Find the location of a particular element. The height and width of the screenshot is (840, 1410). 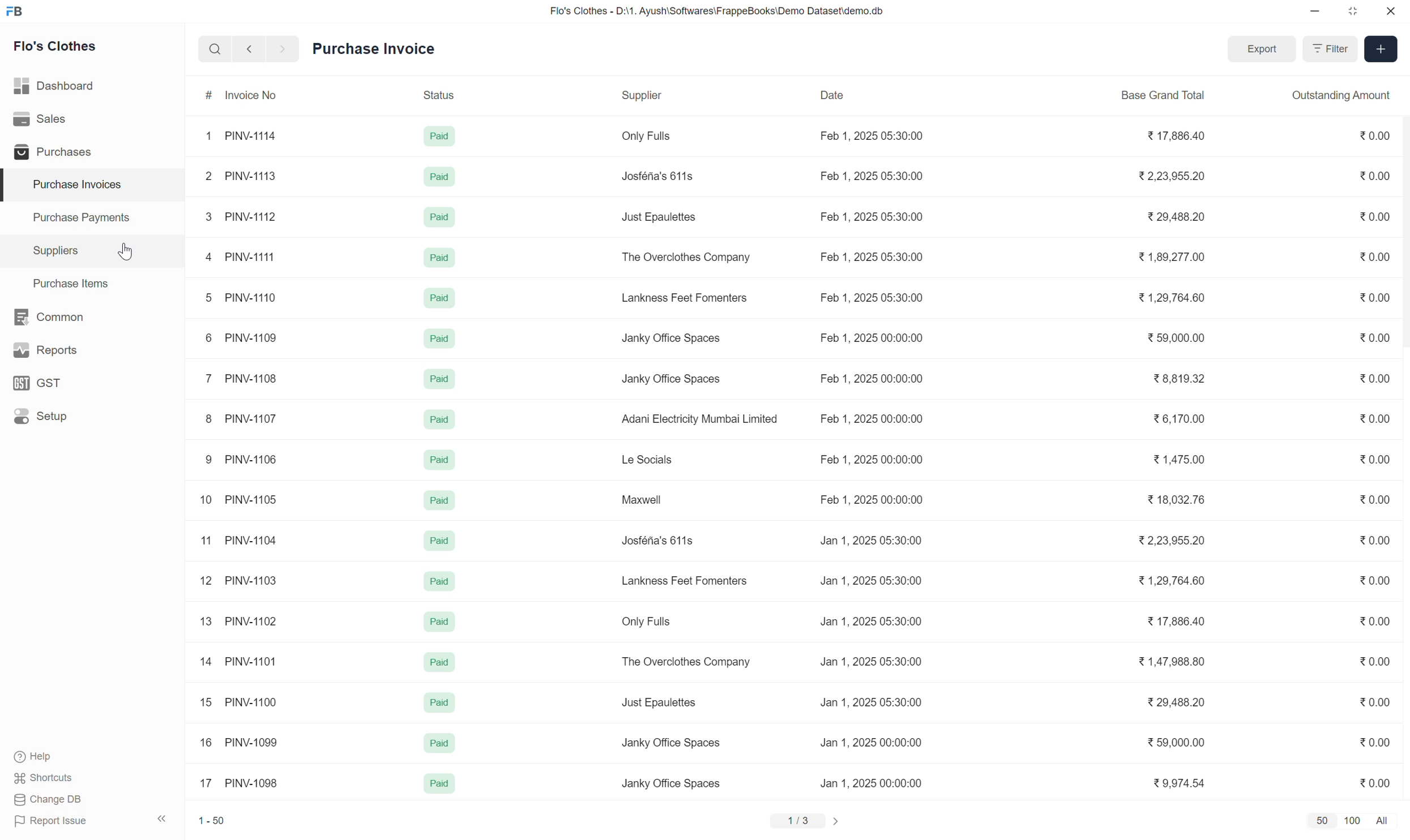

2,23,955.20 is located at coordinates (1171, 541).